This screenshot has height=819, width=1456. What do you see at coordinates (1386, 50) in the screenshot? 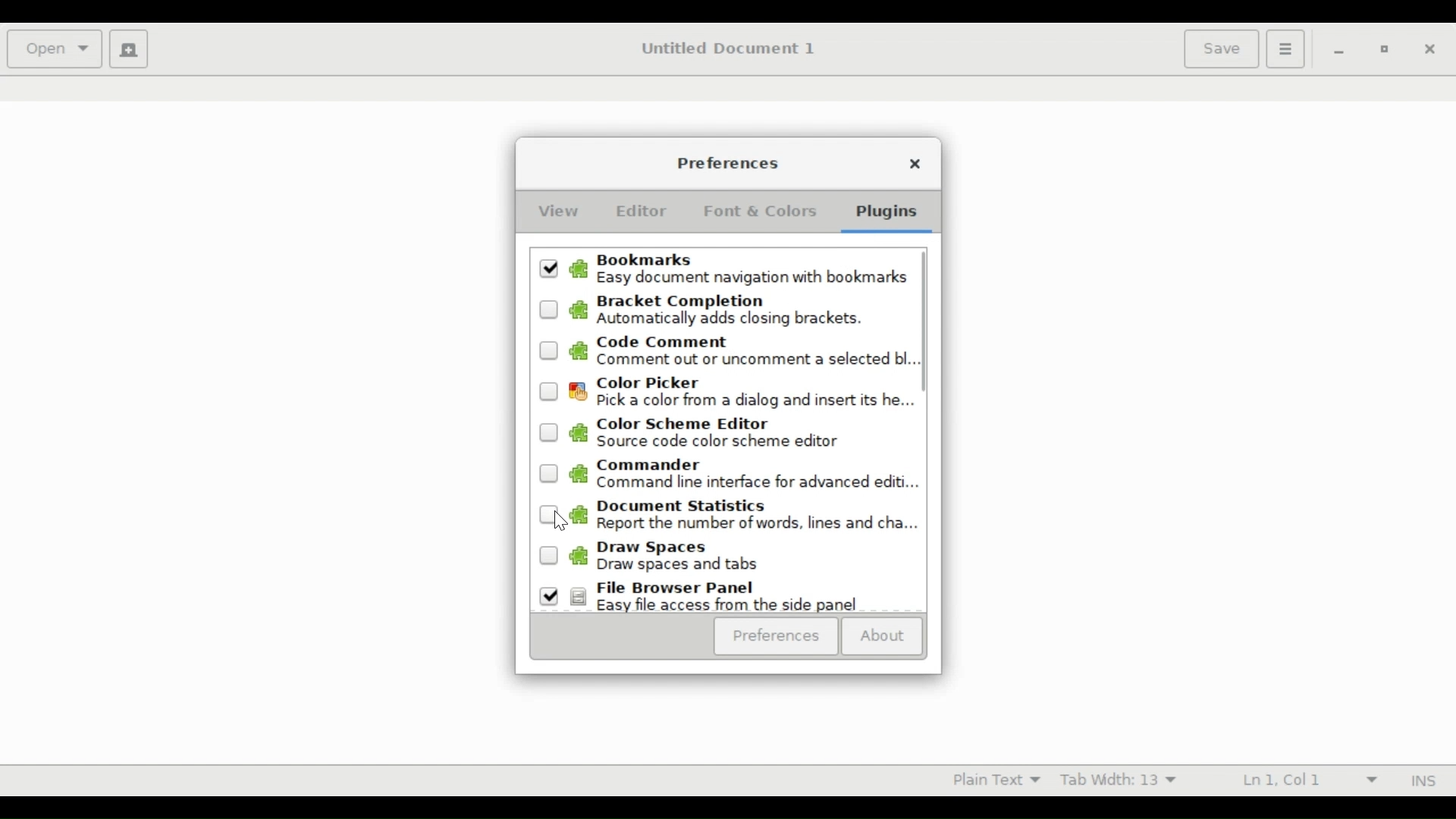
I see `Restore` at bounding box center [1386, 50].